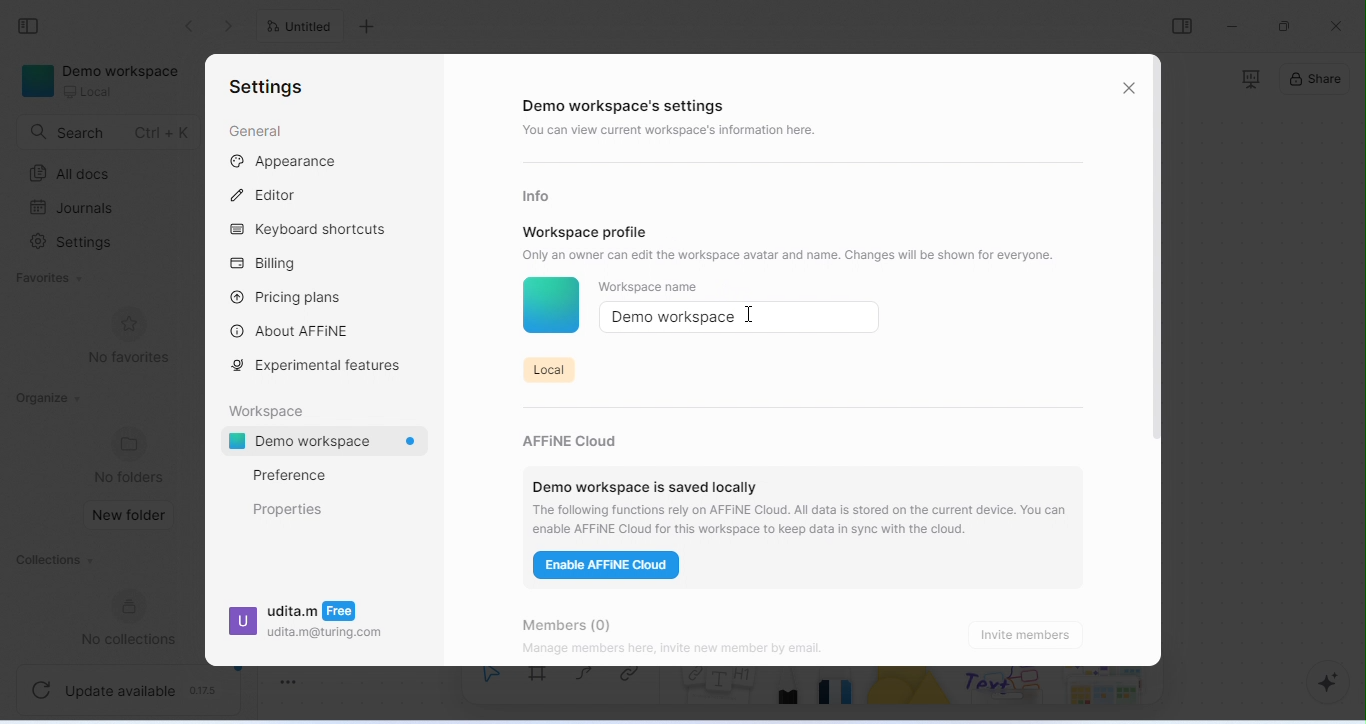 The width and height of the screenshot is (1366, 724). What do you see at coordinates (268, 193) in the screenshot?
I see `editor` at bounding box center [268, 193].